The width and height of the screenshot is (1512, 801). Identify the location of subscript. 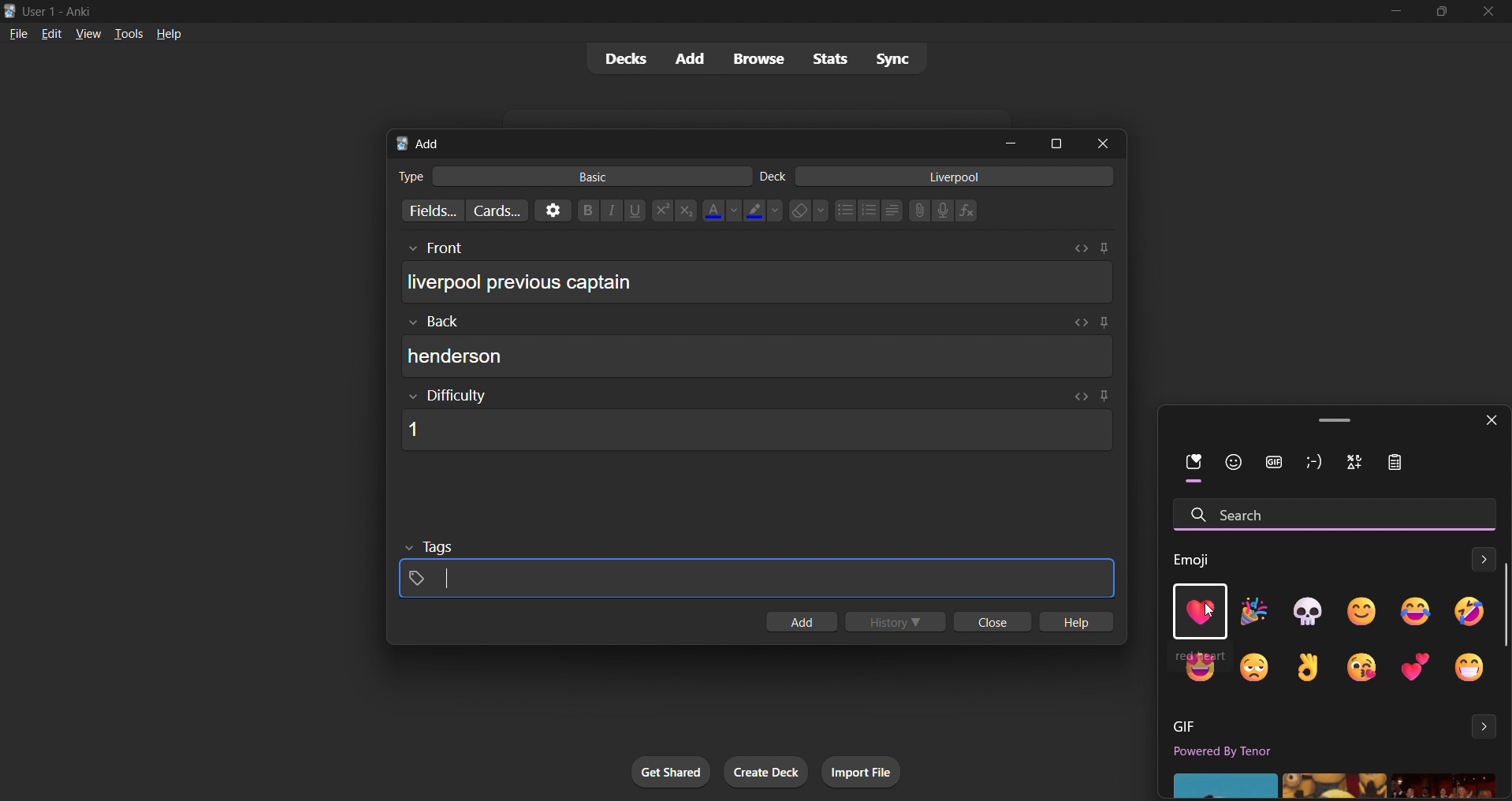
(684, 210).